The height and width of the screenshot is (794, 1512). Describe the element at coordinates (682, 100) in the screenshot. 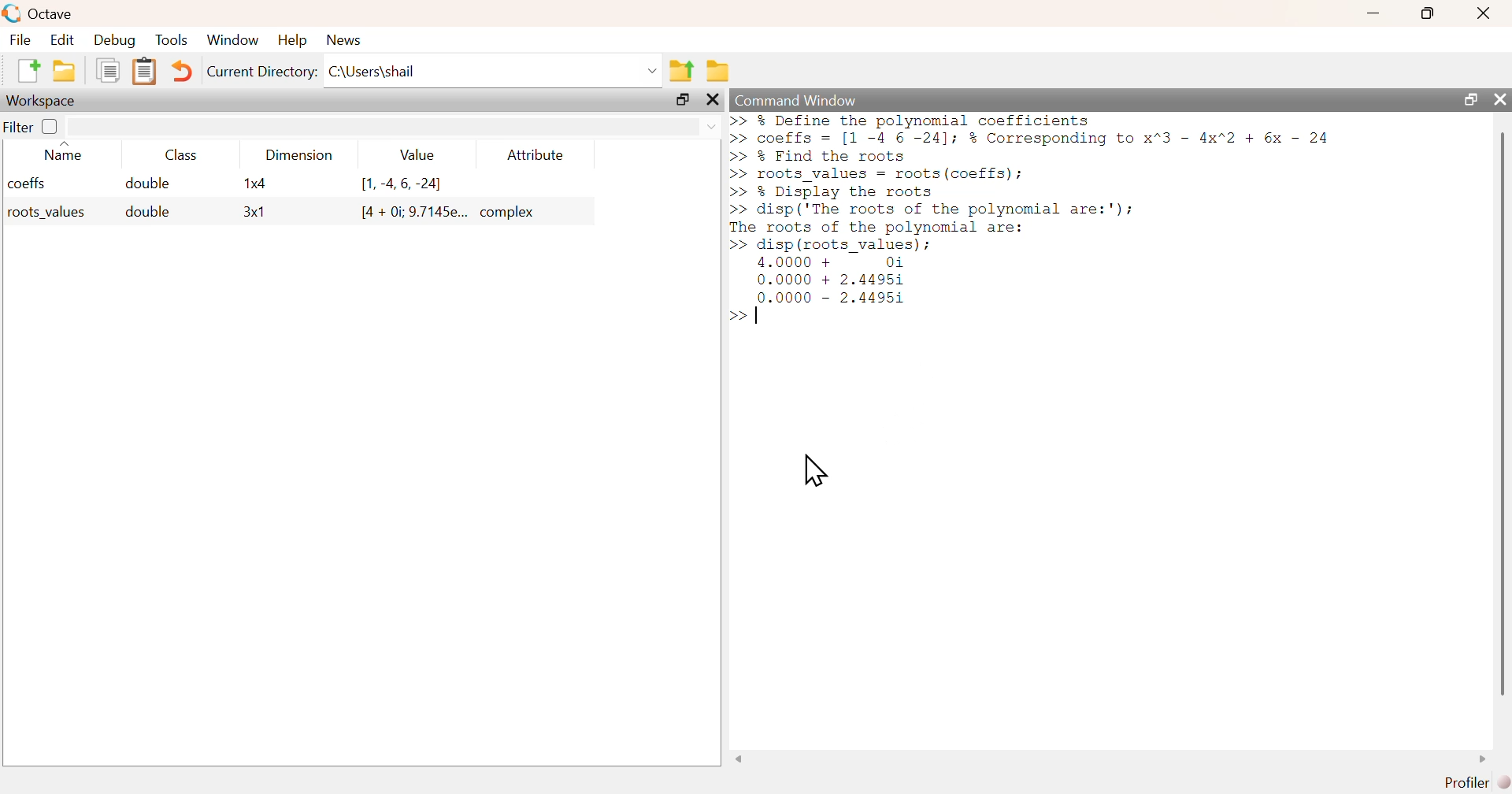

I see `maximize` at that location.